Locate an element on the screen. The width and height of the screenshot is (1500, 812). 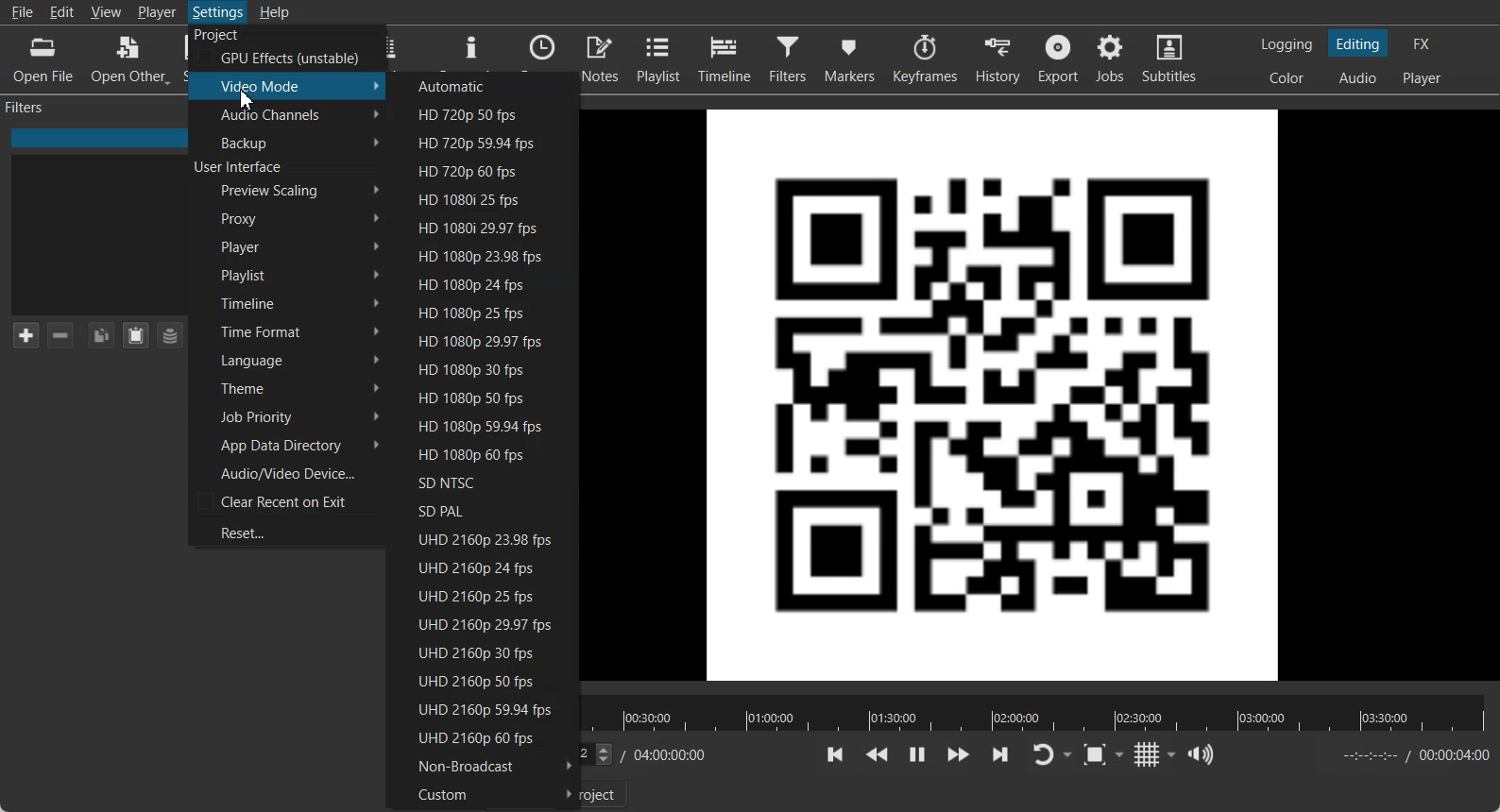
History is located at coordinates (997, 59).